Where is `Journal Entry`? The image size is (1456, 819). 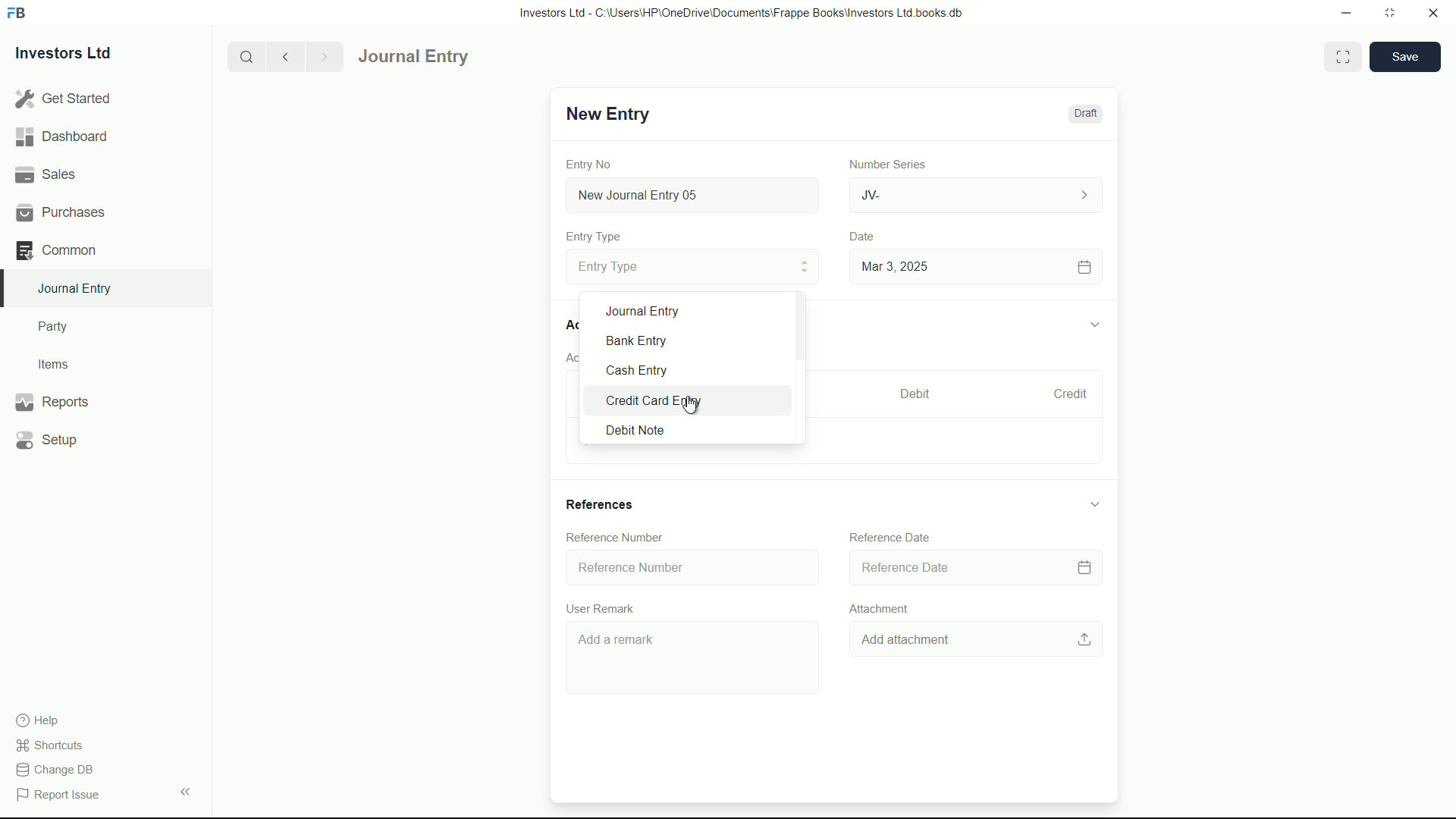 Journal Entry is located at coordinates (651, 311).